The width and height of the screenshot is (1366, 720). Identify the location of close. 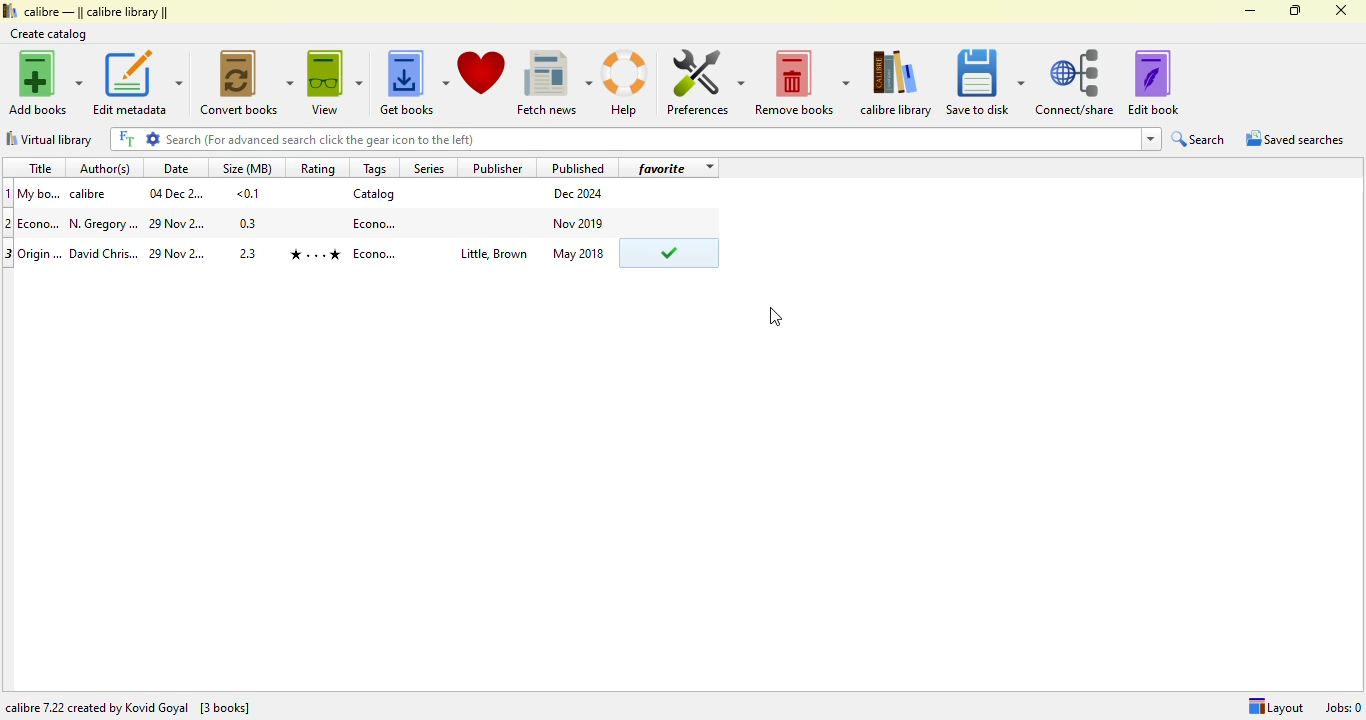
(1340, 10).